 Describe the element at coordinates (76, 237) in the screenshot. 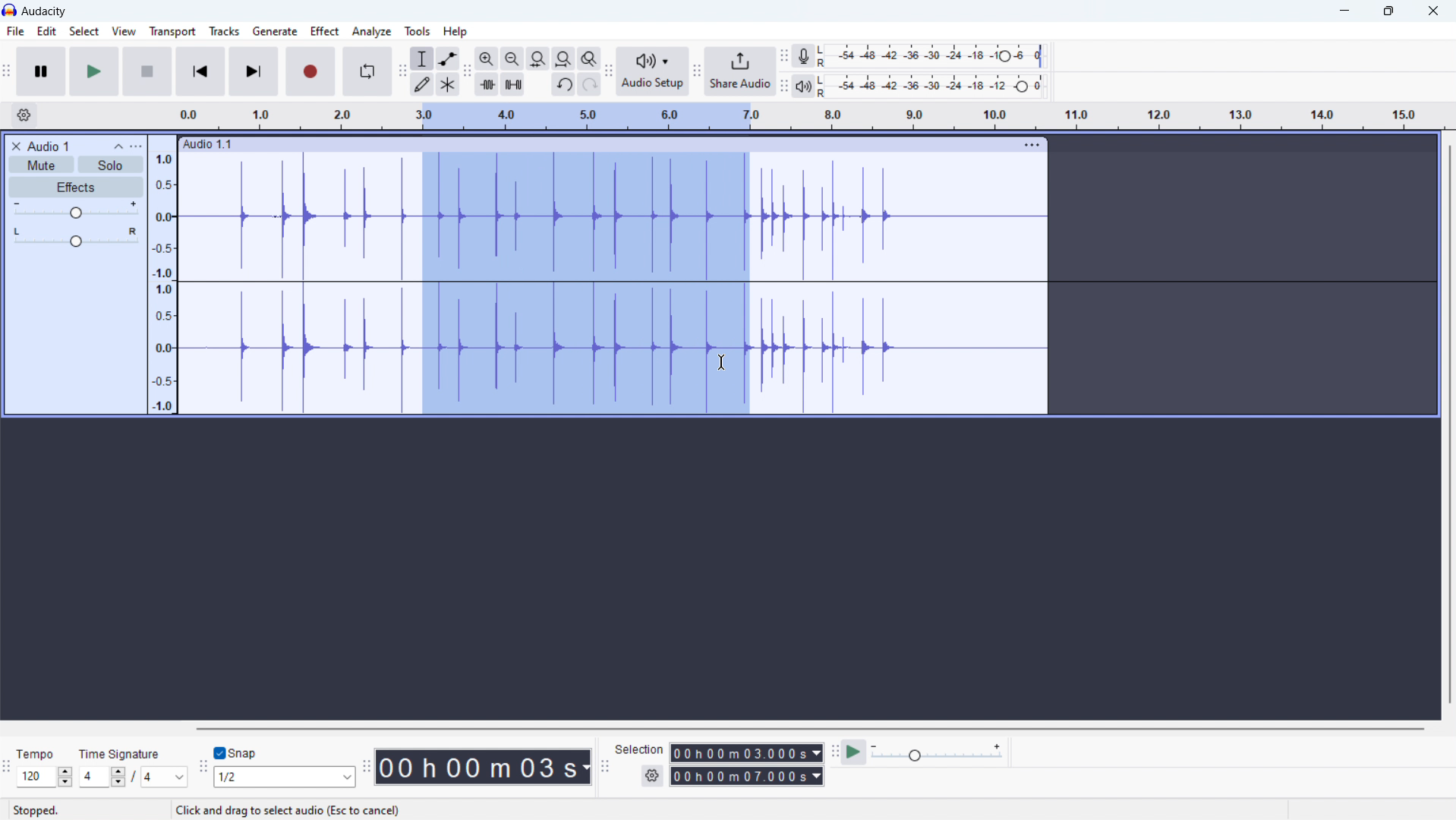

I see `pan: center` at that location.